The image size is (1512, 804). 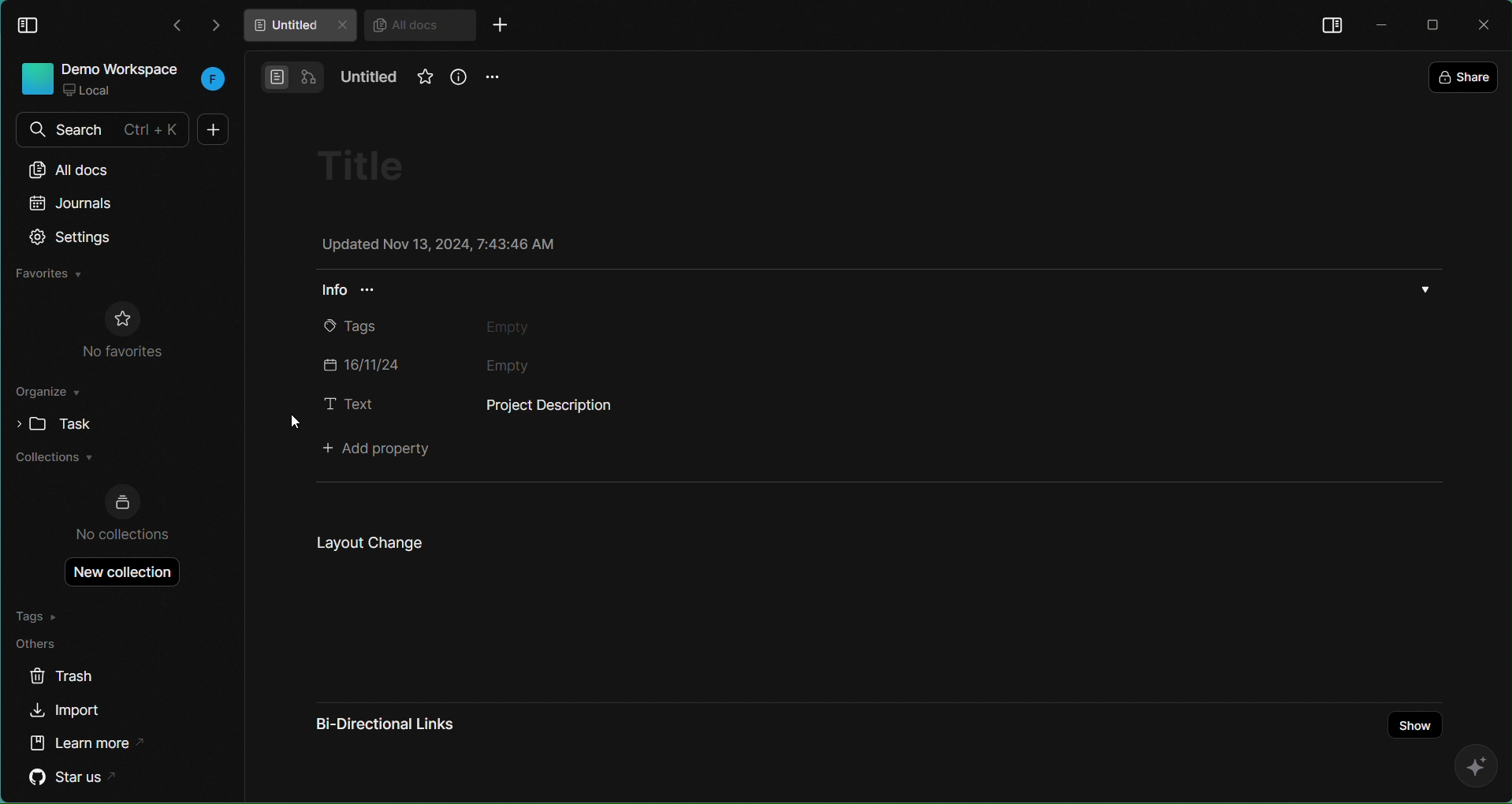 What do you see at coordinates (372, 165) in the screenshot?
I see `title ` at bounding box center [372, 165].